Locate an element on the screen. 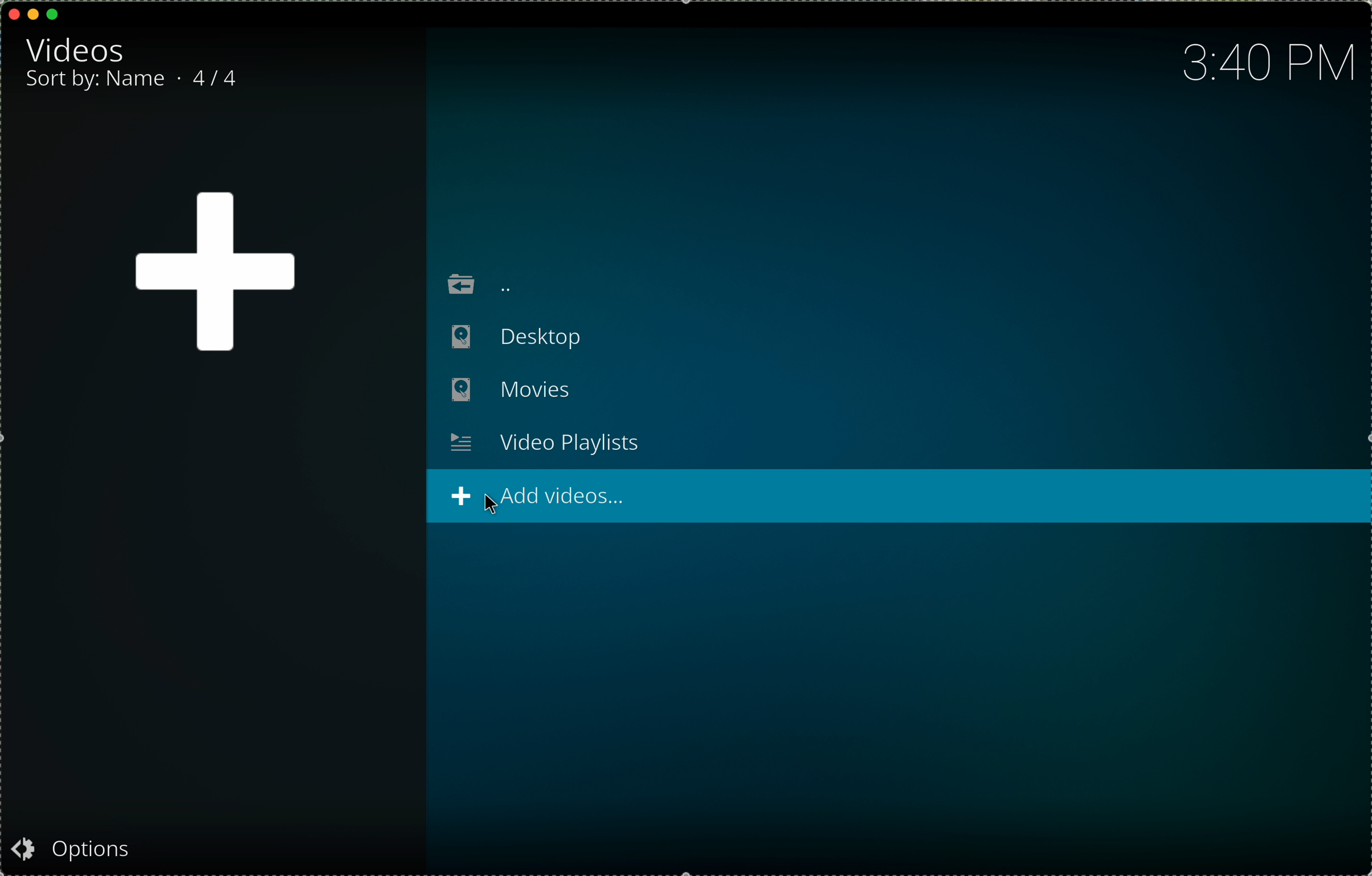 The height and width of the screenshot is (876, 1372). 4/4 is located at coordinates (214, 78).